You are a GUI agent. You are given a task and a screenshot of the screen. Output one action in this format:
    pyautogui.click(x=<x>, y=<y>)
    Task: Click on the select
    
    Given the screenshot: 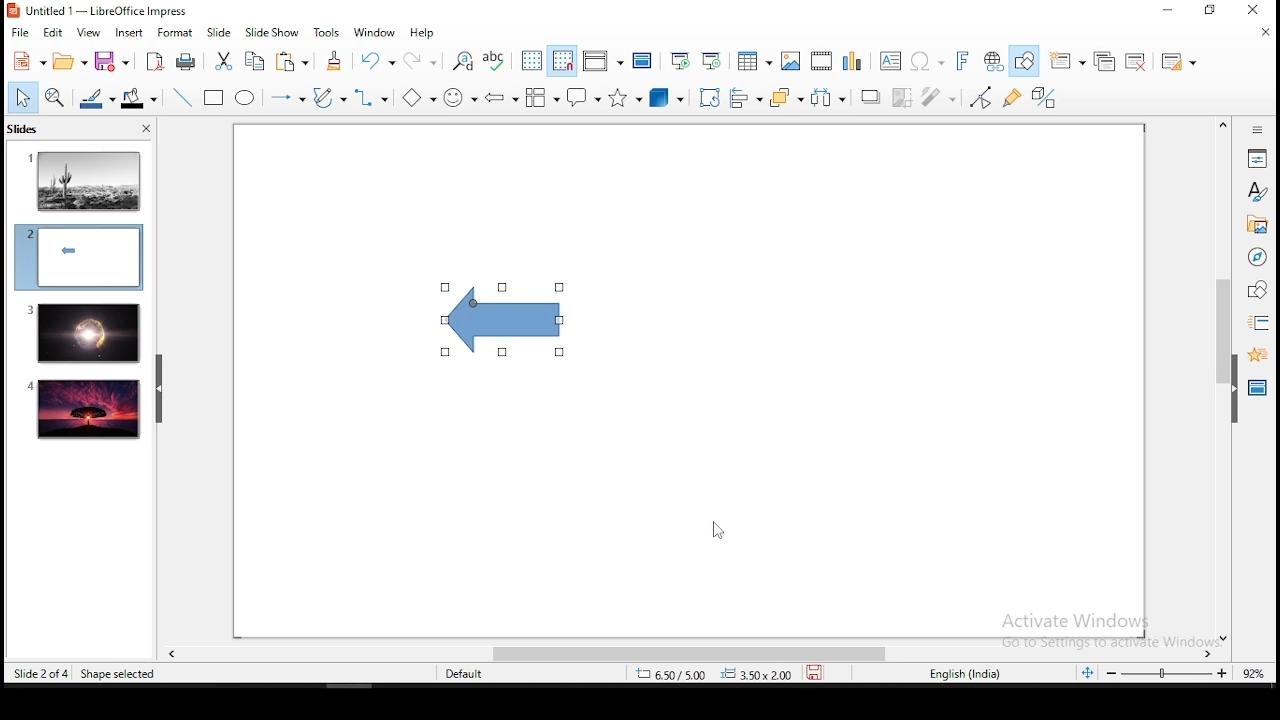 What is the action you would take?
    pyautogui.click(x=23, y=97)
    